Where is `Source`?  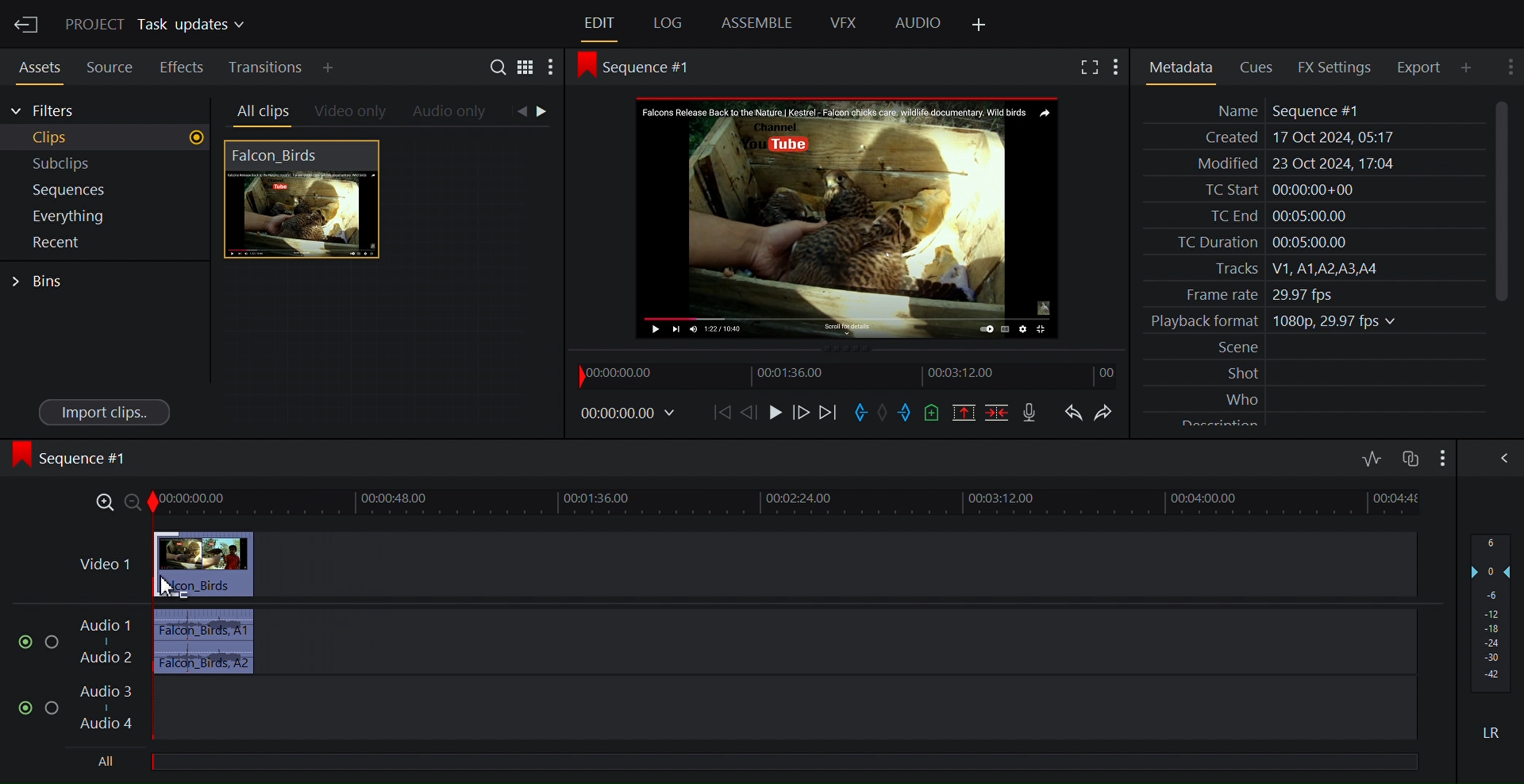
Source is located at coordinates (110, 65).